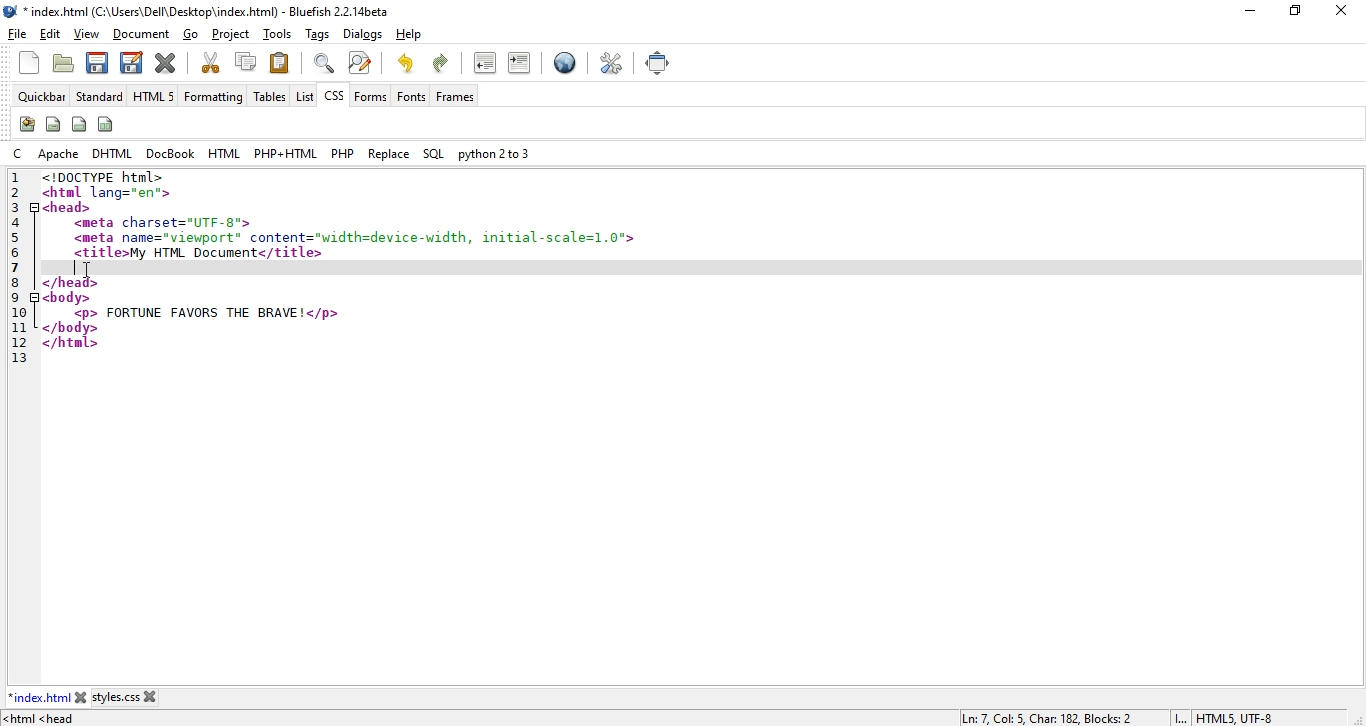  I want to click on sql, so click(433, 155).